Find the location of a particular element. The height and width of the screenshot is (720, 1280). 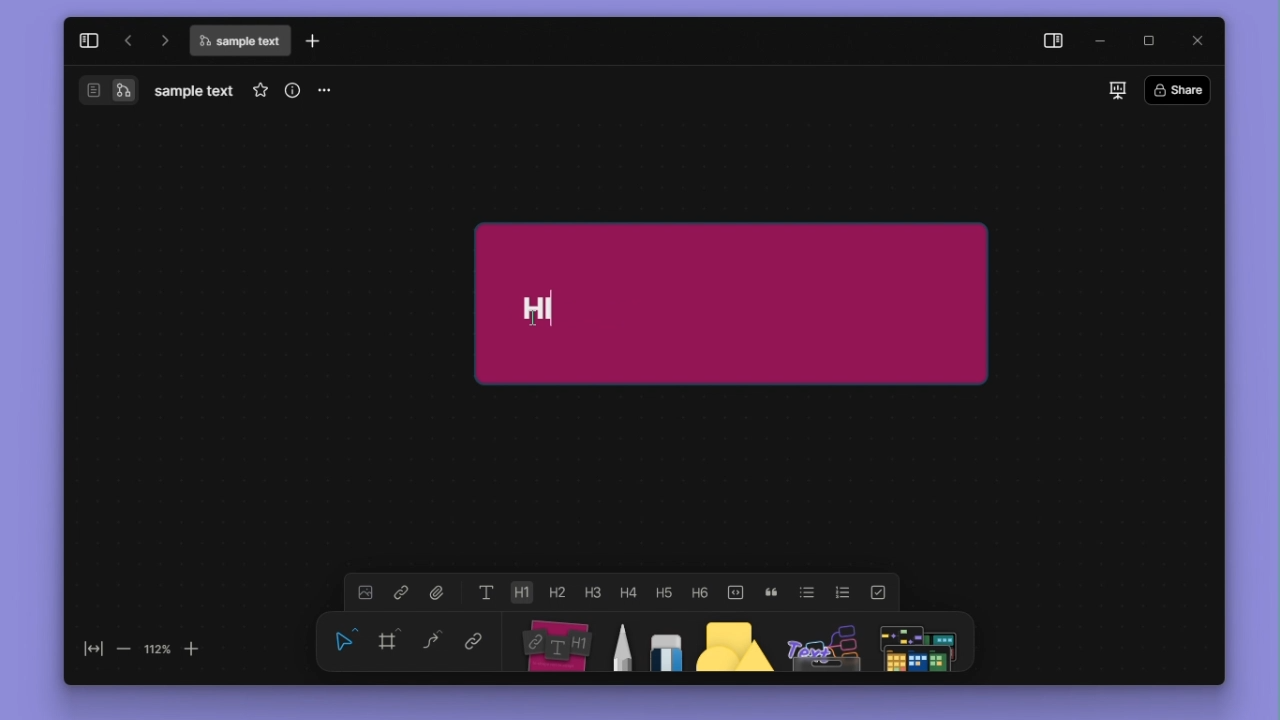

favourite is located at coordinates (260, 90).